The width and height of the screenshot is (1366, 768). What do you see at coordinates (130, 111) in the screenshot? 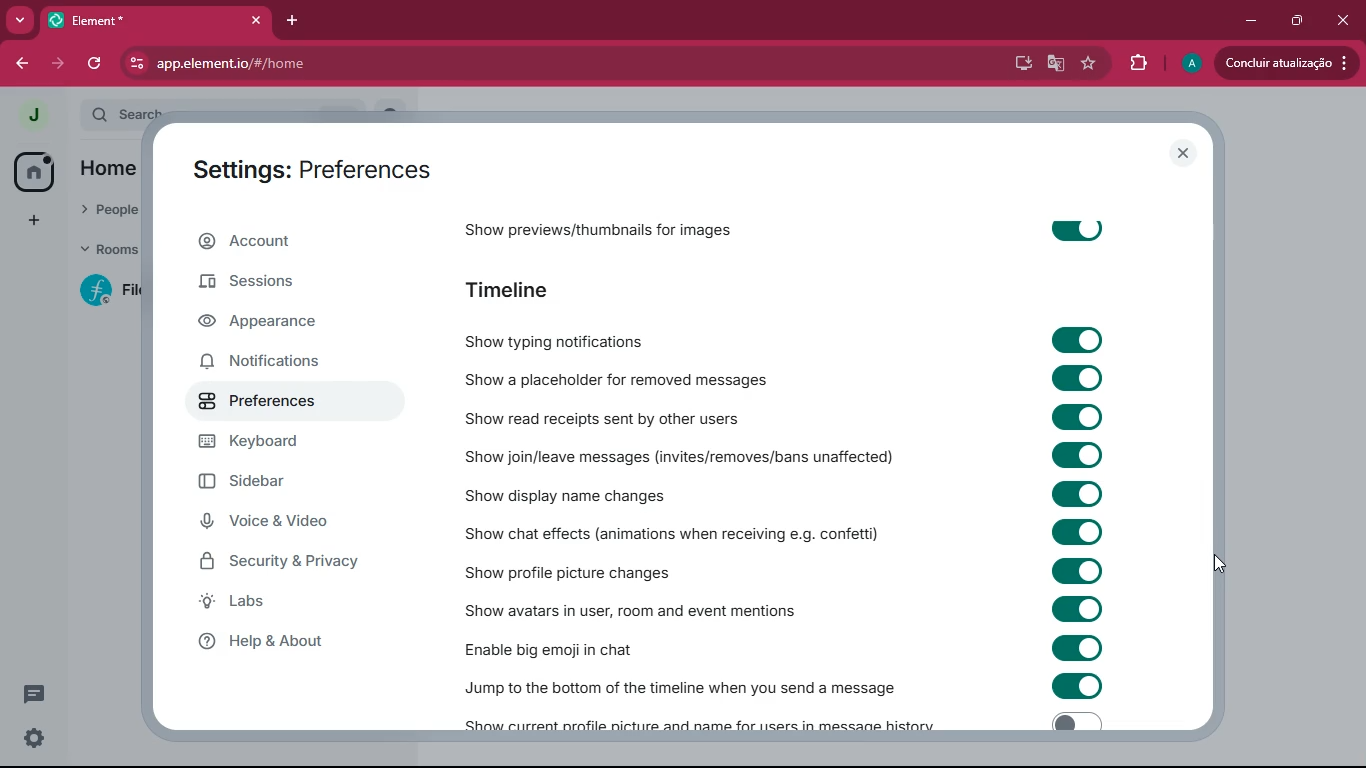
I see `search` at bounding box center [130, 111].